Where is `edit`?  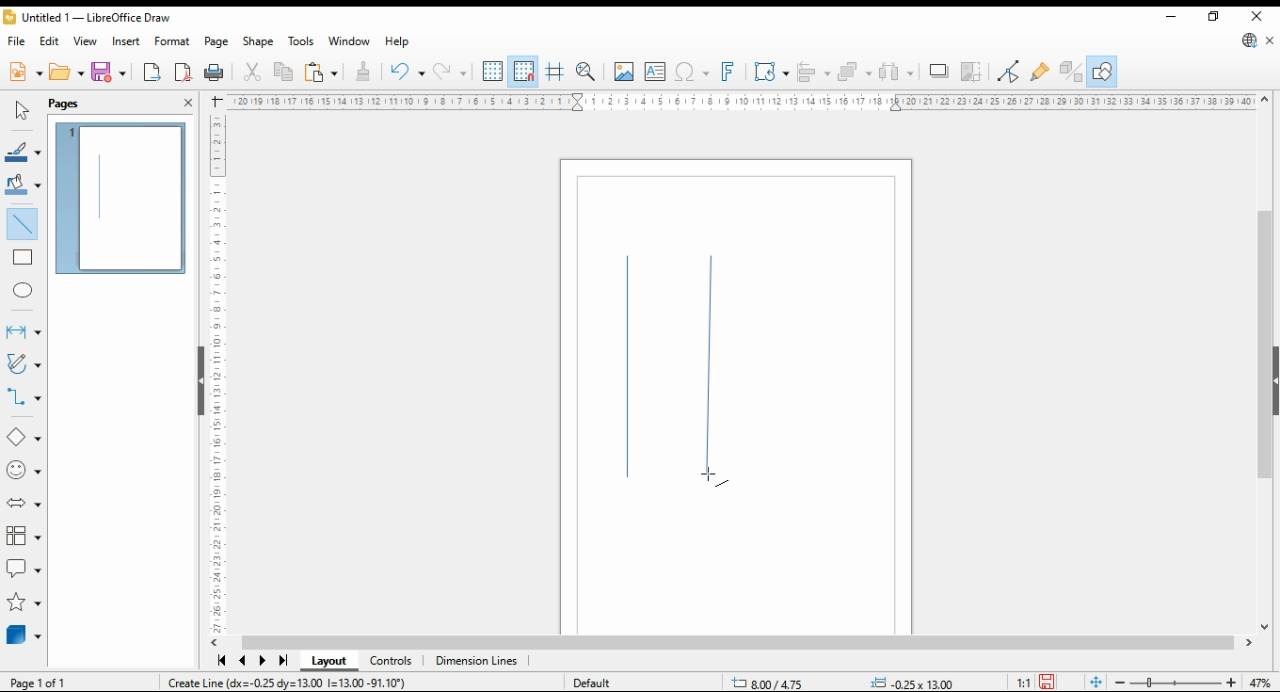
edit is located at coordinates (50, 40).